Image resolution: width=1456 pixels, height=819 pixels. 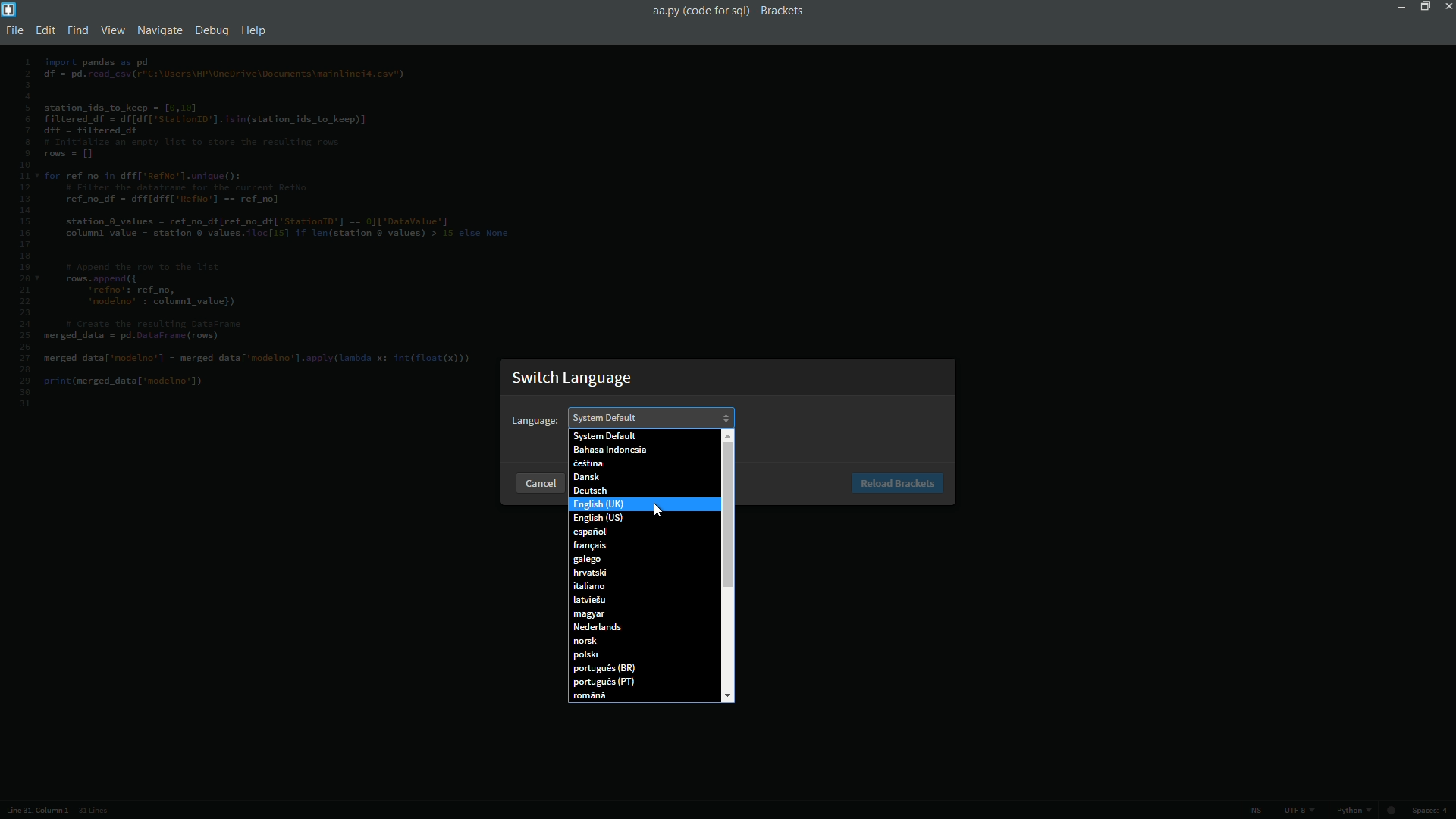 I want to click on code, so click(x=268, y=226).